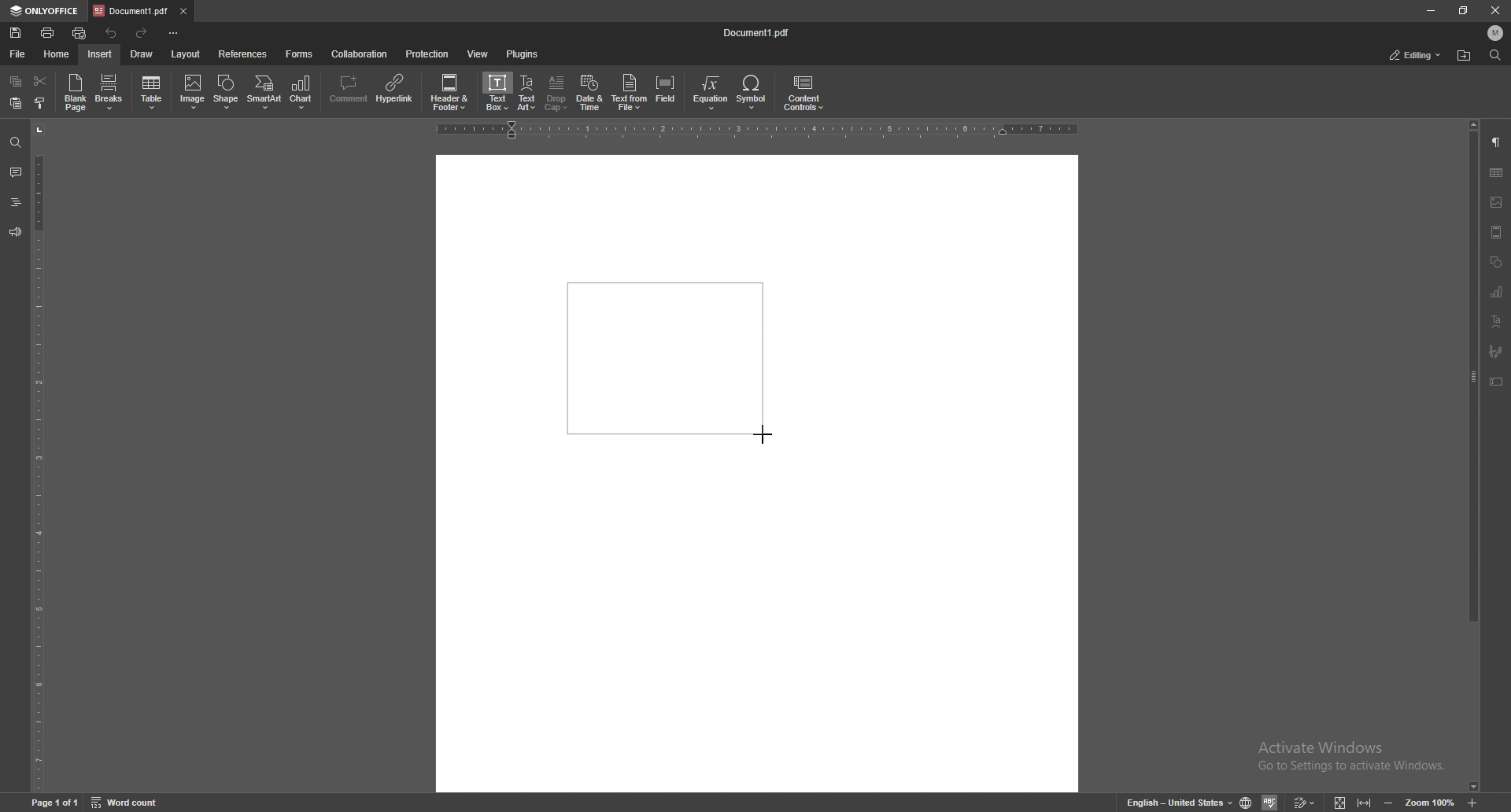 This screenshot has height=812, width=1511. I want to click on file, so click(17, 54).